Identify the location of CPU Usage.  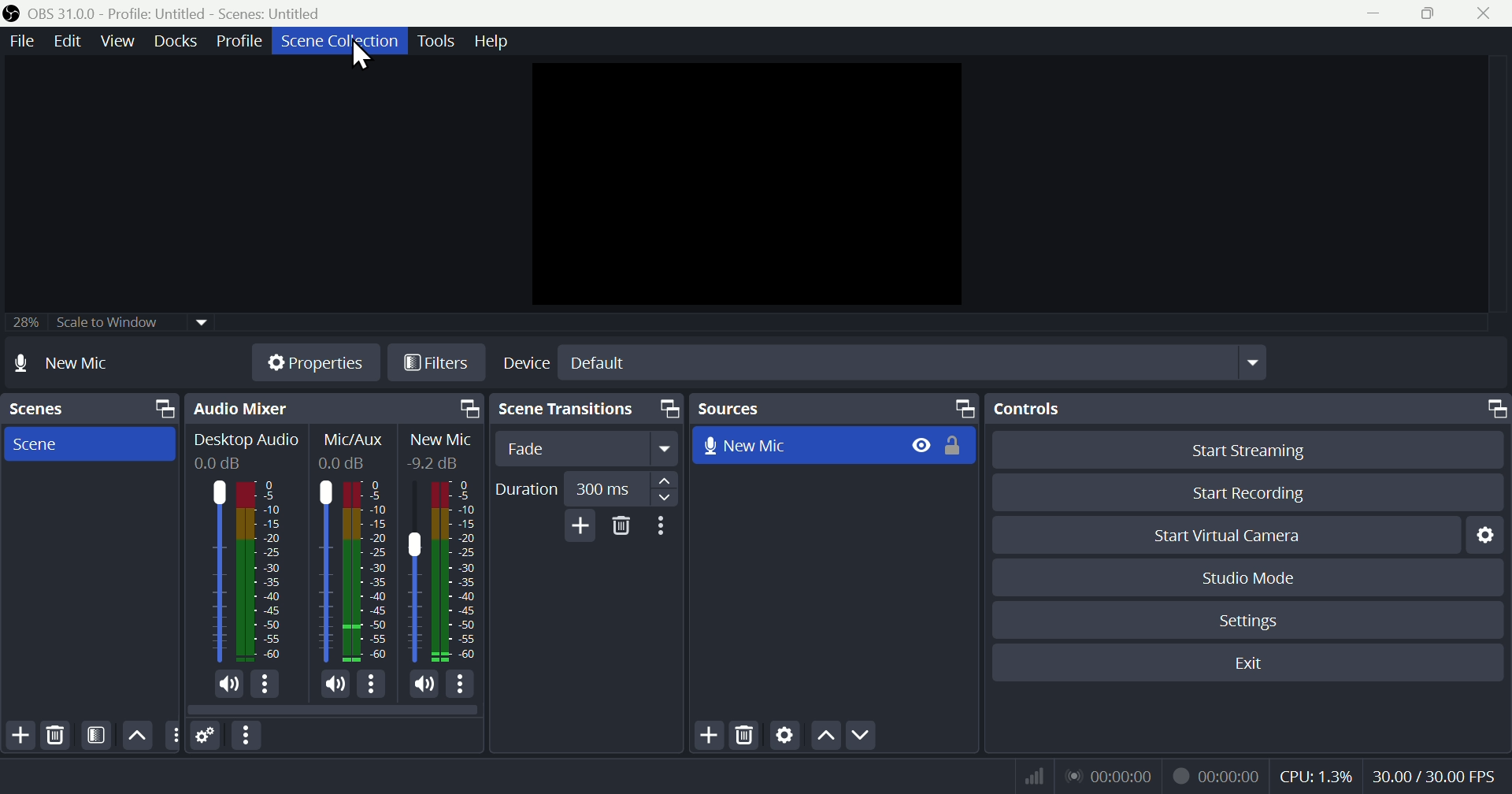
(1318, 777).